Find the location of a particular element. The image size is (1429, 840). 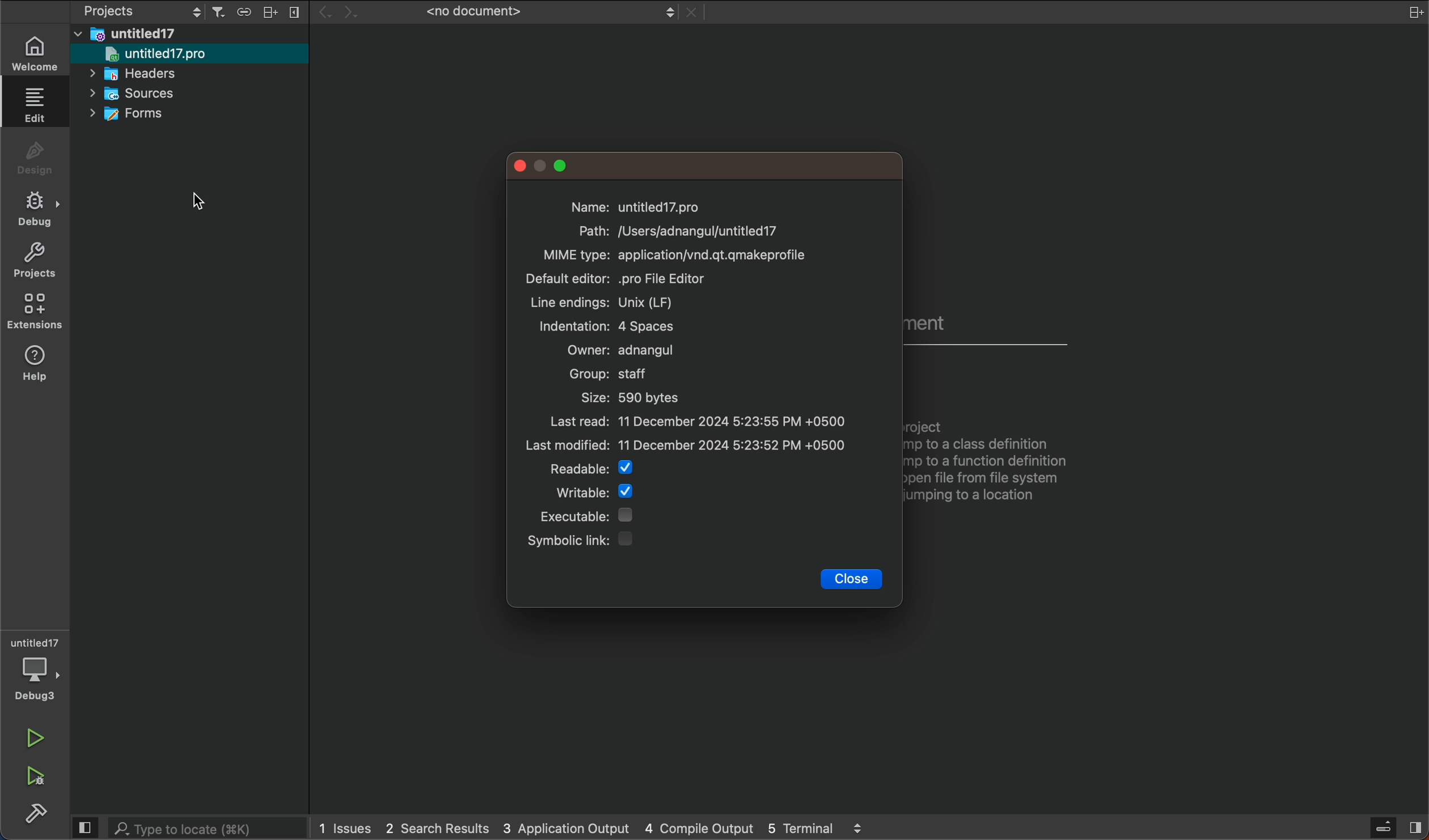

welcome is located at coordinates (41, 52).